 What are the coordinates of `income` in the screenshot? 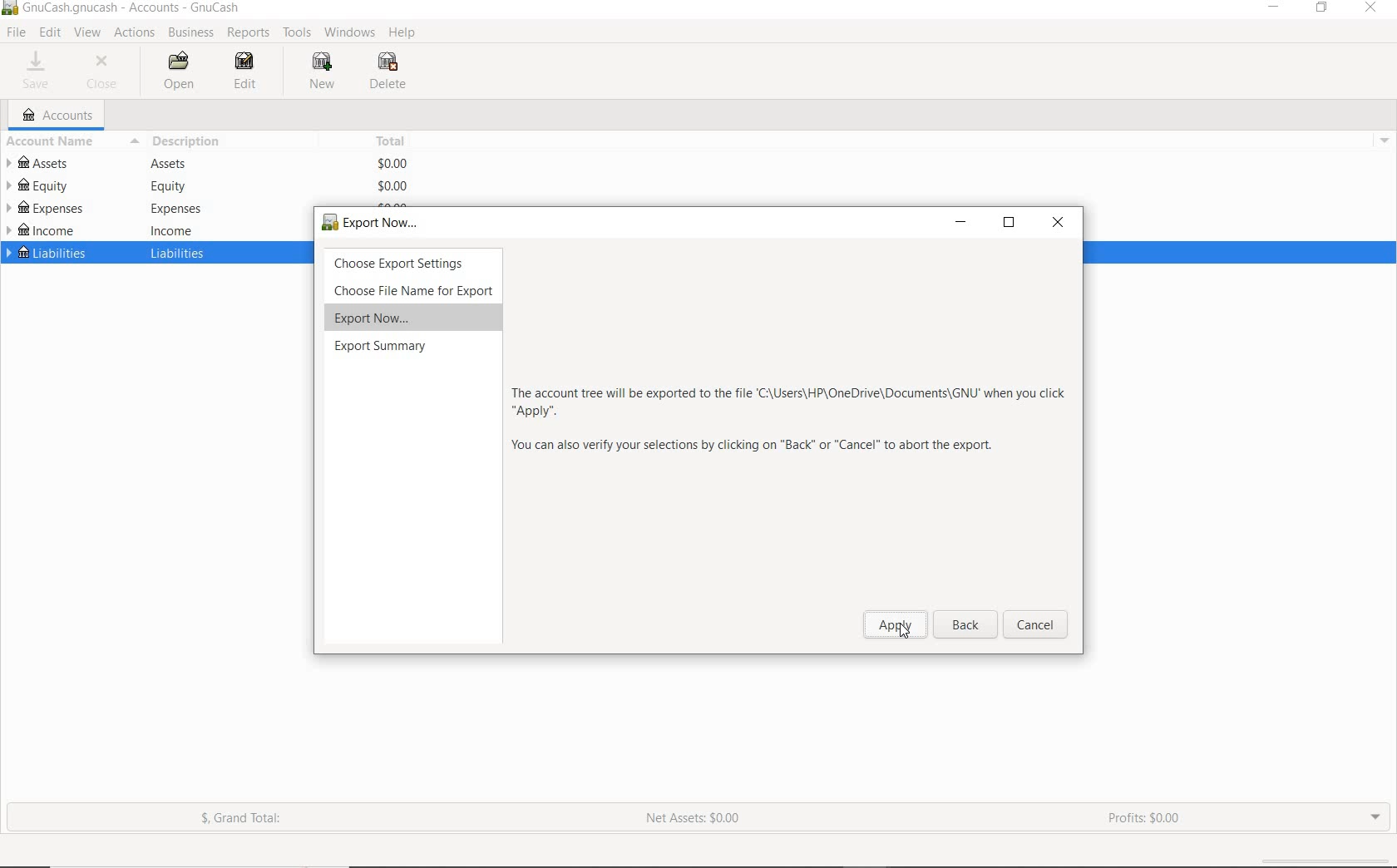 It's located at (170, 229).